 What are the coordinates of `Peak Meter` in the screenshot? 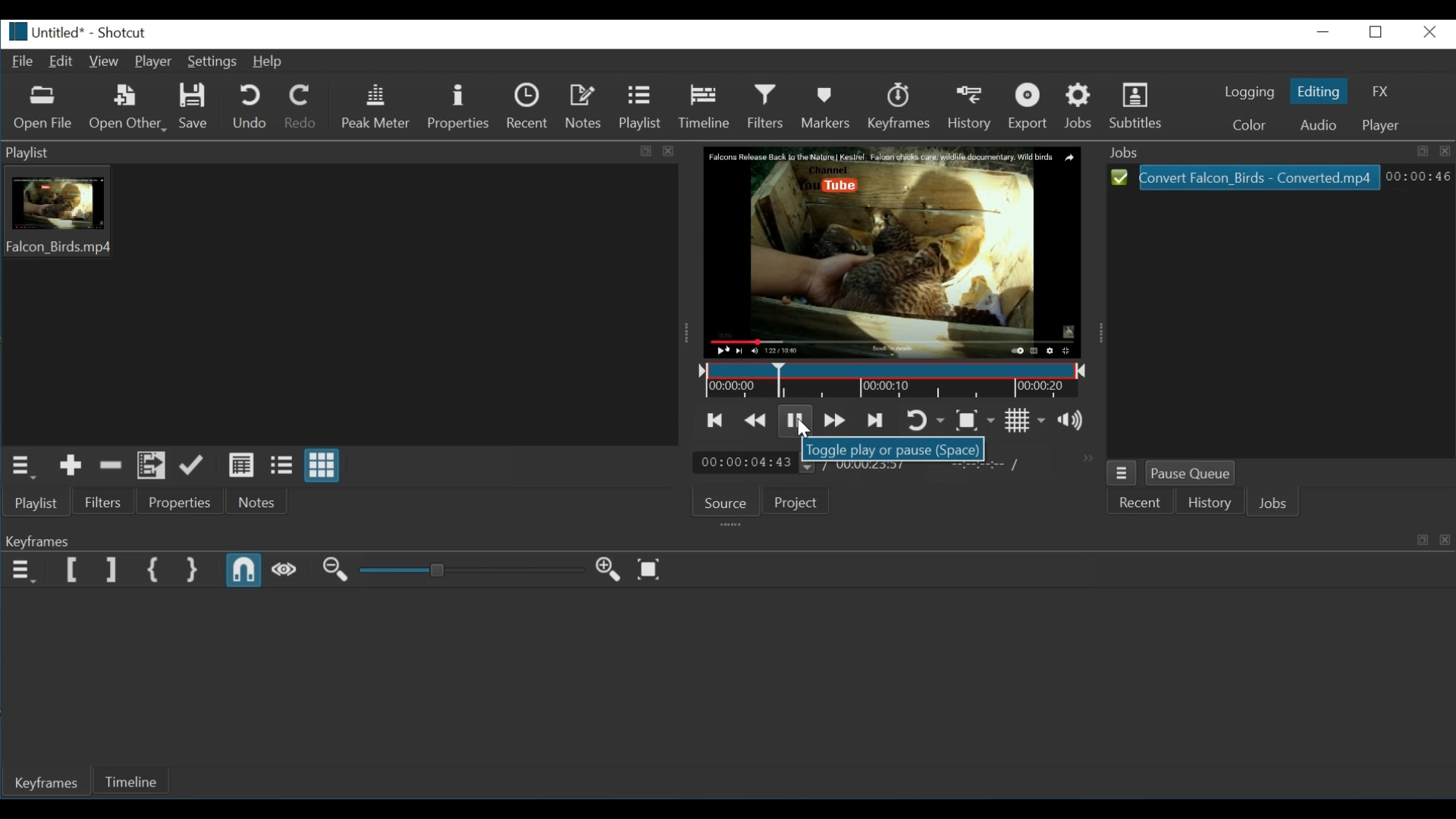 It's located at (378, 108).